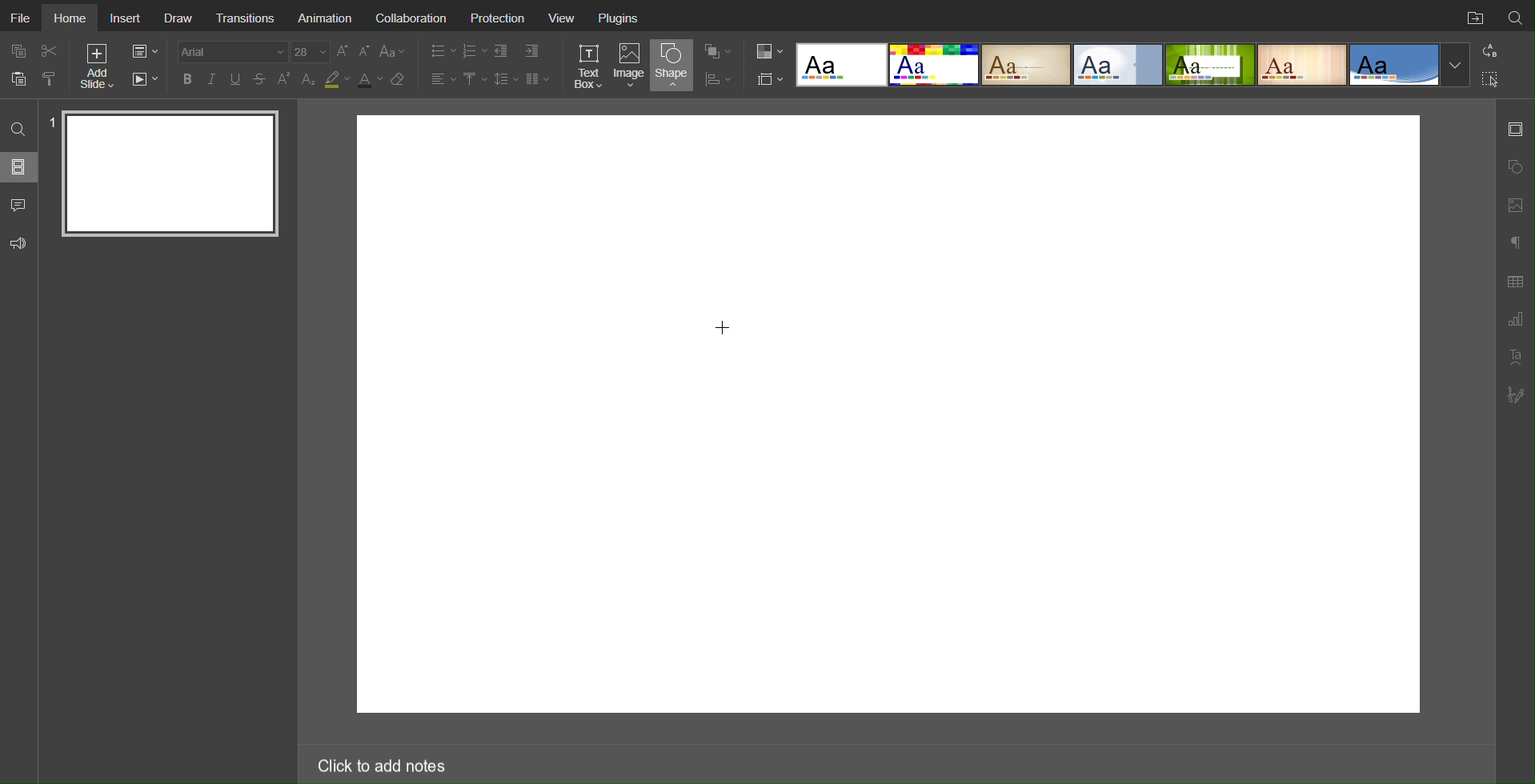  Describe the element at coordinates (1516, 15) in the screenshot. I see `Search` at that location.